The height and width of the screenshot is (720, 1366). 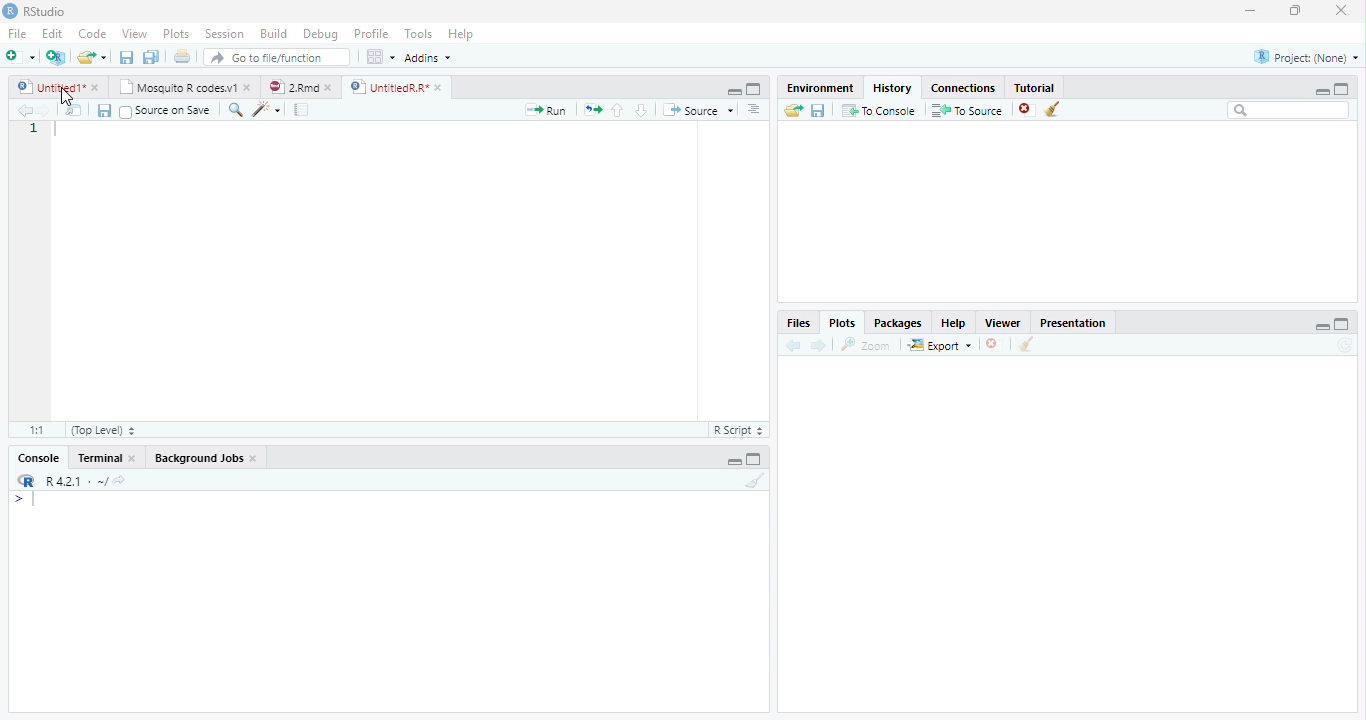 I want to click on Mosquito R codes, so click(x=187, y=86).